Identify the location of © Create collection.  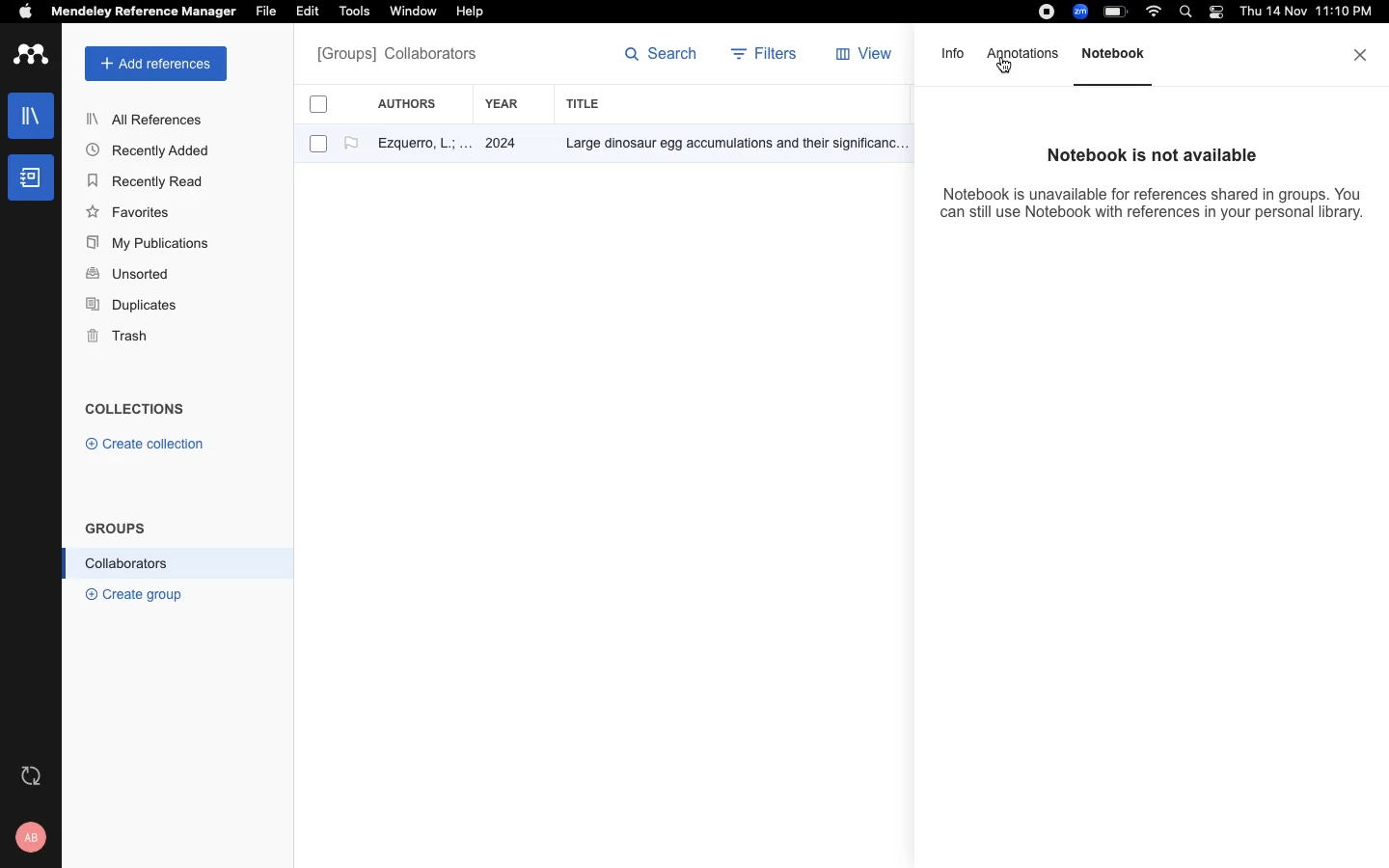
(146, 448).